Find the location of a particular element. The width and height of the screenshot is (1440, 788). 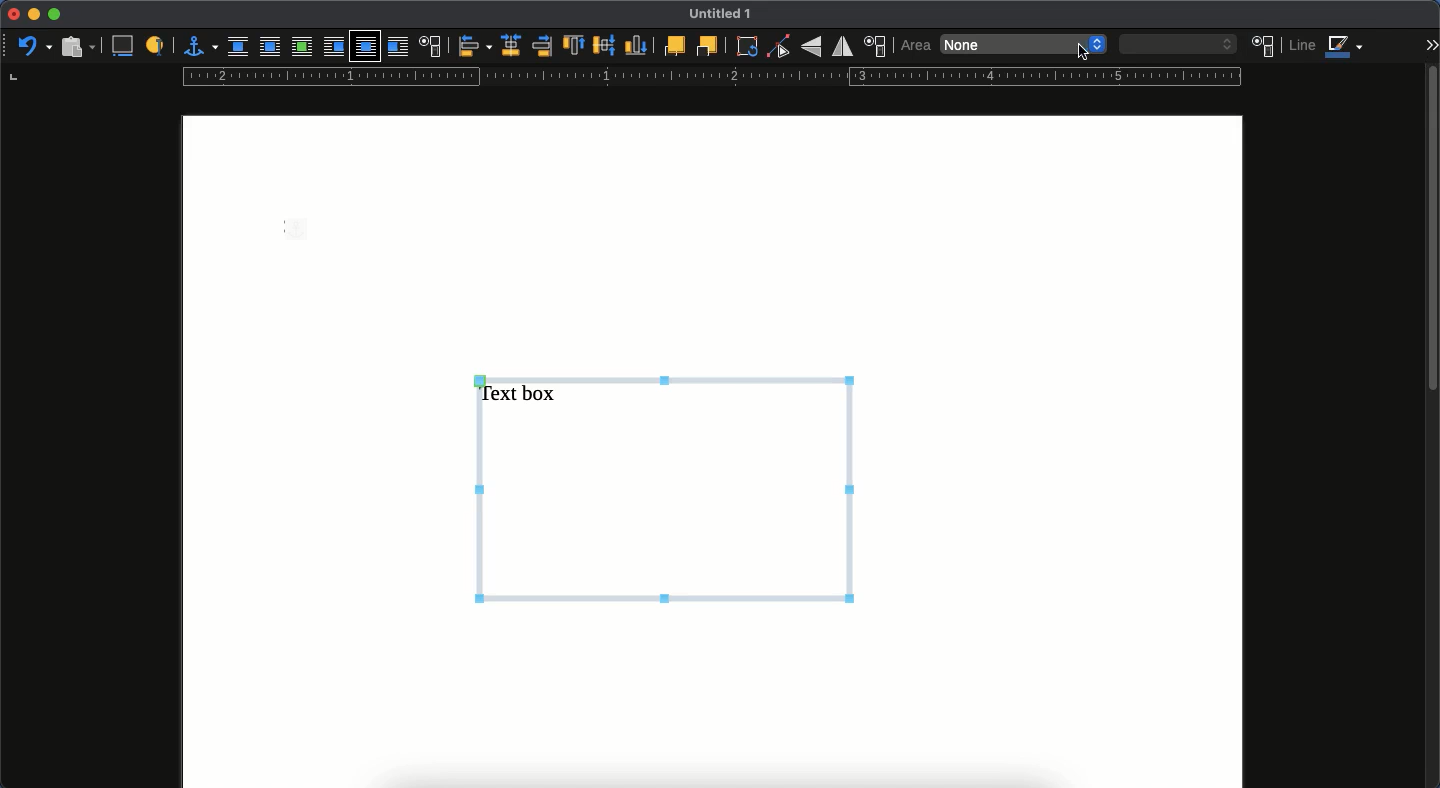

none is located at coordinates (1003, 43).